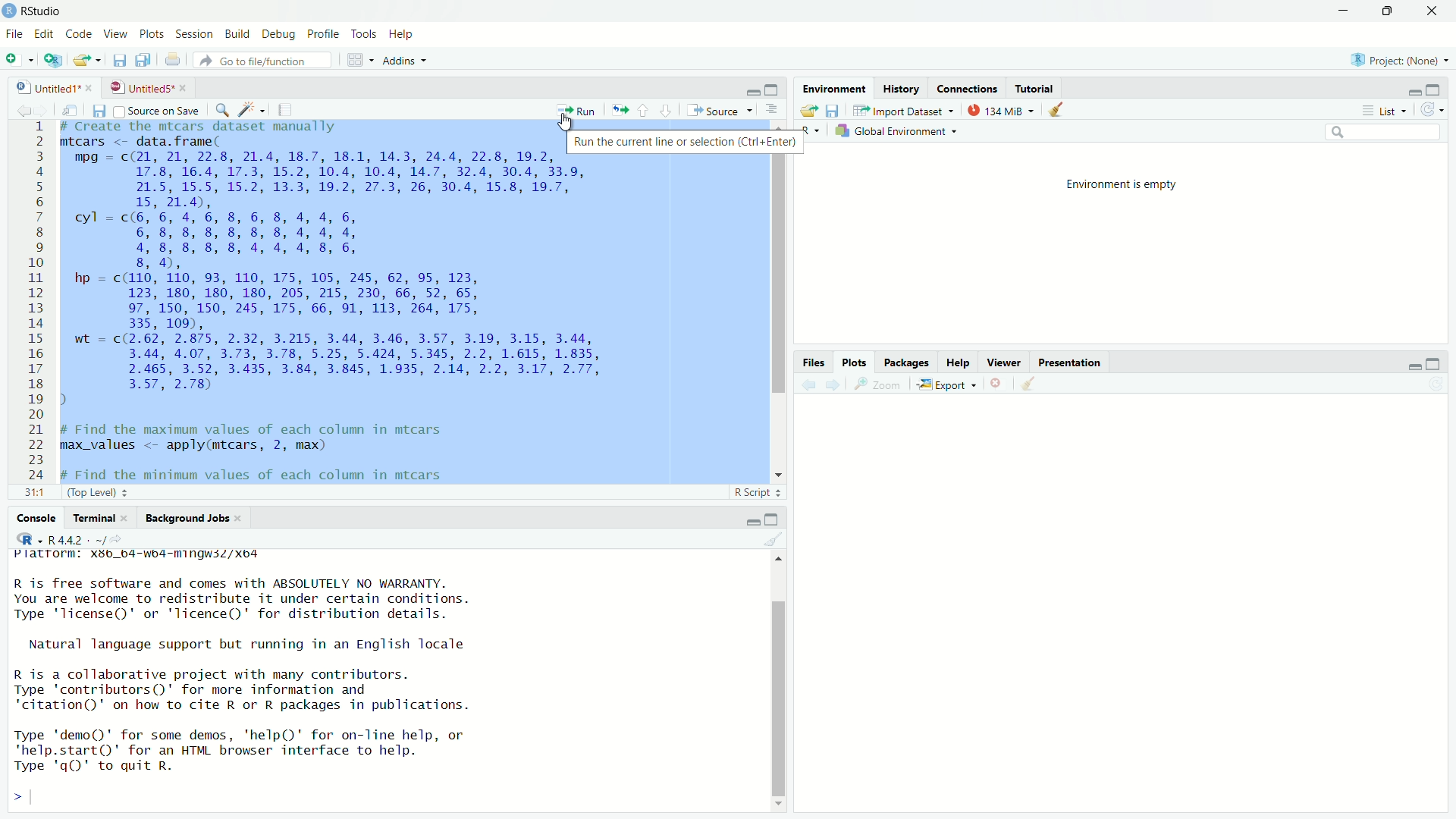 The width and height of the screenshot is (1456, 819). What do you see at coordinates (89, 61) in the screenshot?
I see `move` at bounding box center [89, 61].